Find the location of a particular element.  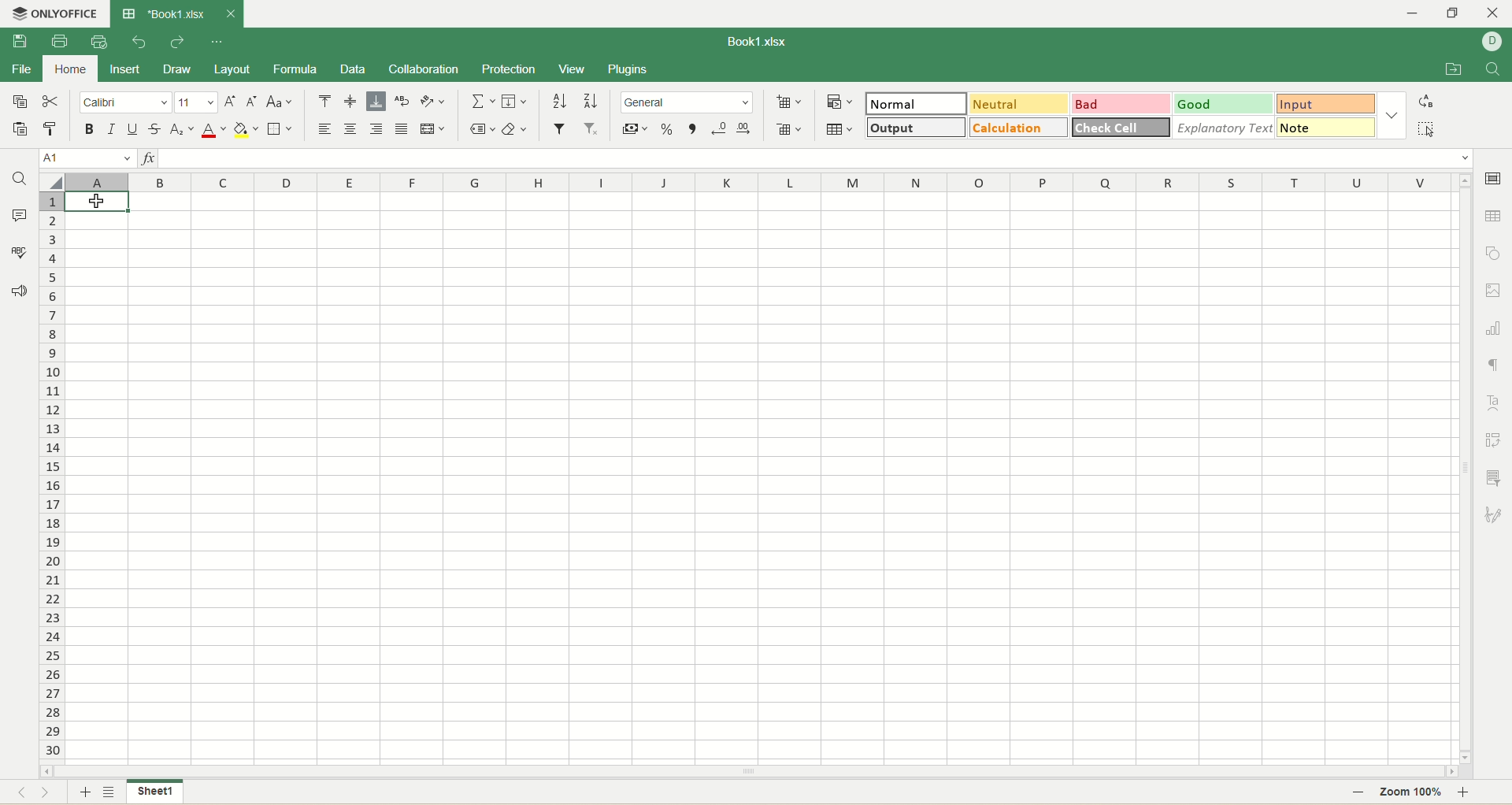

sort ascending is located at coordinates (559, 101).